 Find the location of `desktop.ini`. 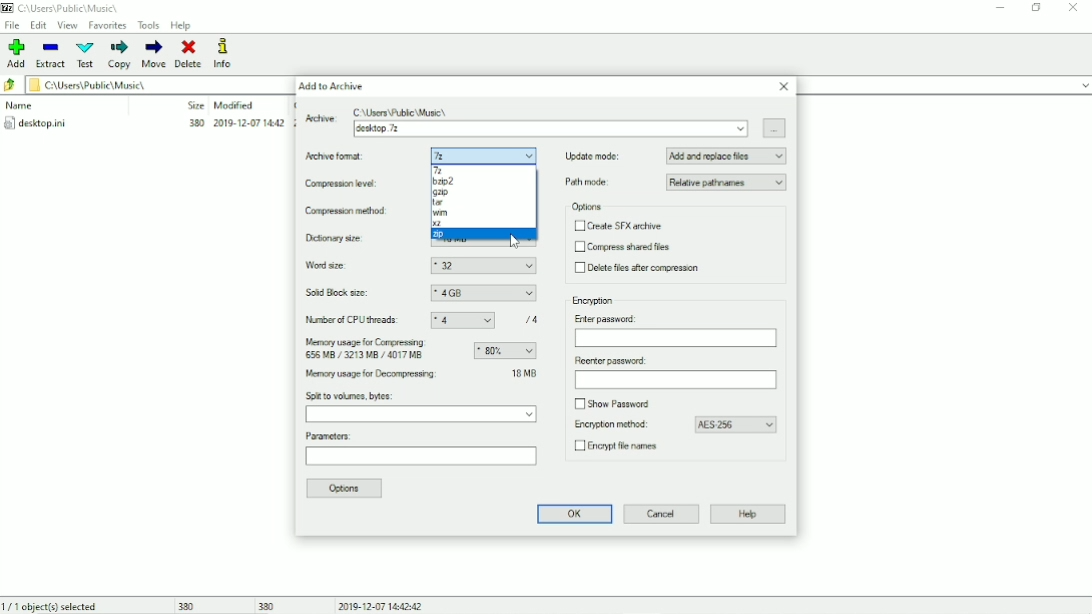

desktop.ini is located at coordinates (147, 125).